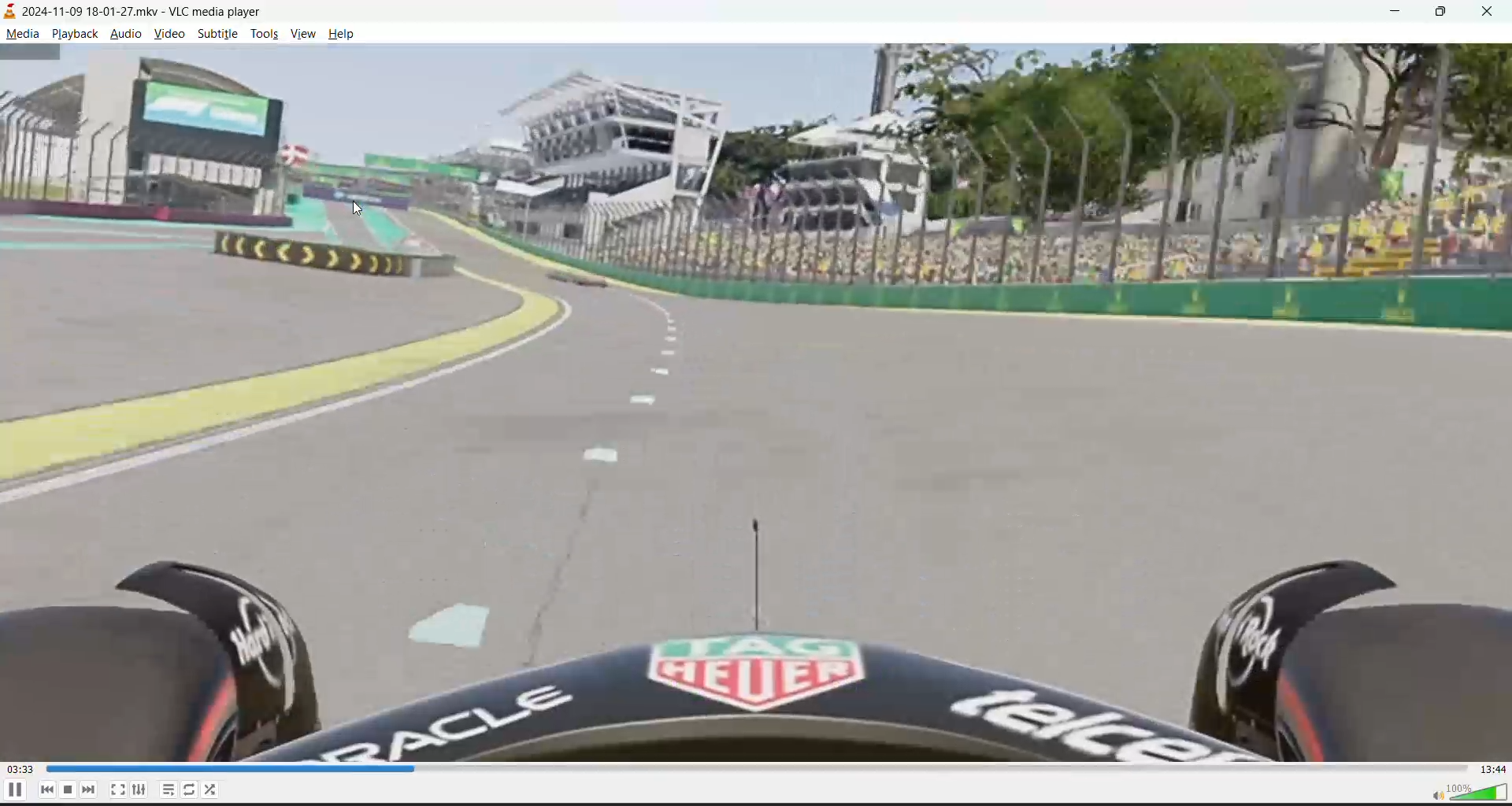  I want to click on playing zoomed in video, so click(756, 401).